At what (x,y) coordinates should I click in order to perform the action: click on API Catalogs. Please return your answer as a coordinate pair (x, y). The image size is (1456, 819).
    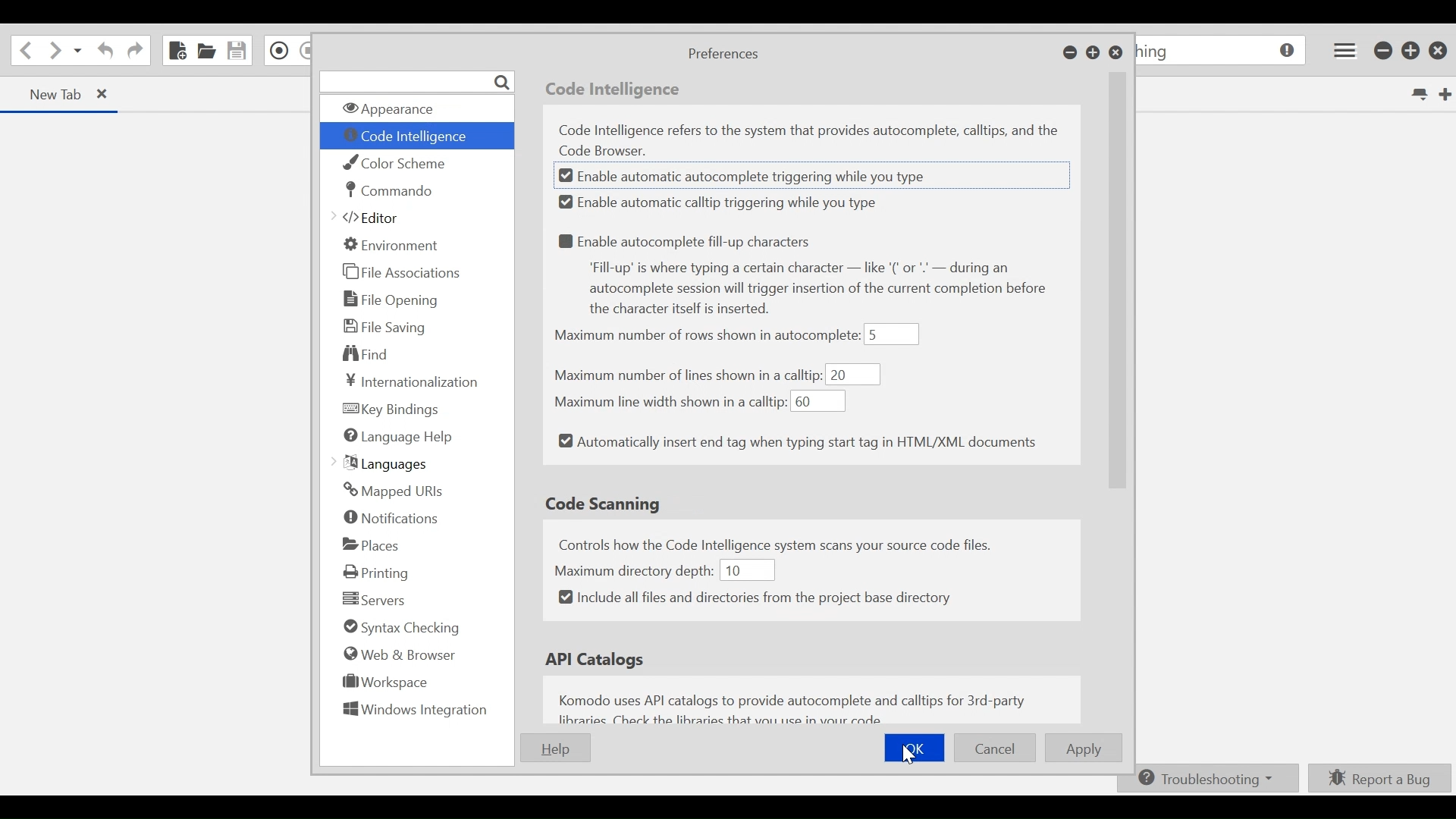
    Looking at the image, I should click on (599, 660).